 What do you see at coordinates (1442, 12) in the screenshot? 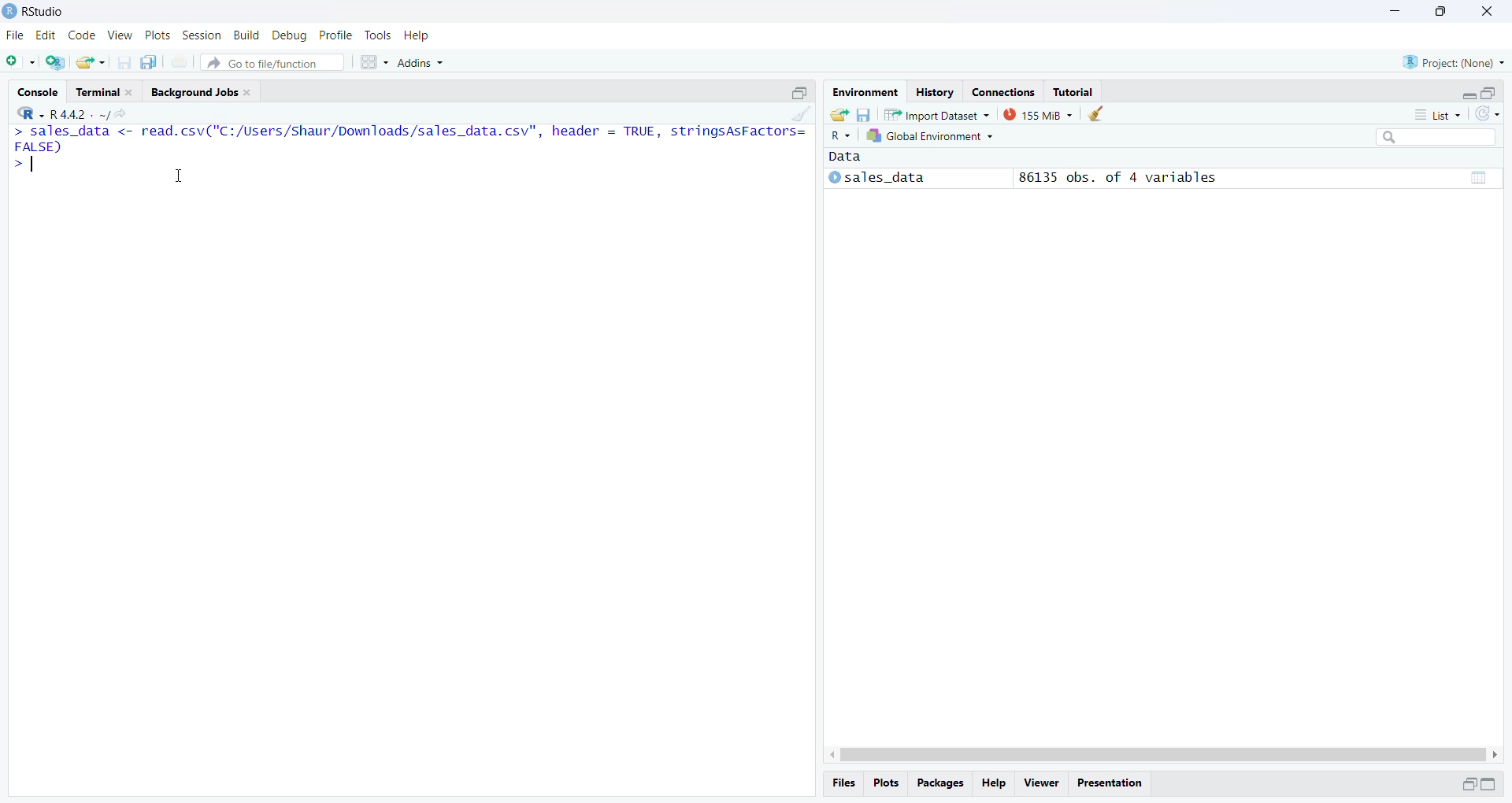
I see `Maximize` at bounding box center [1442, 12].